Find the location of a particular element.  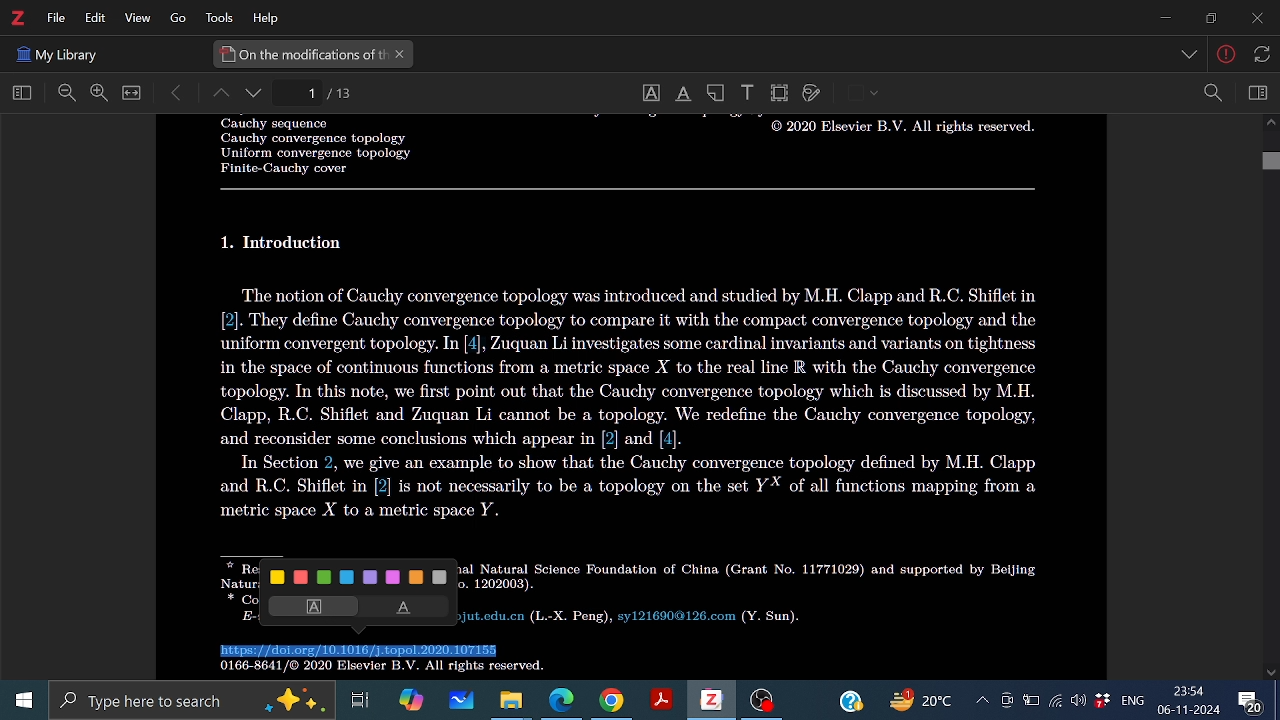

Colors is located at coordinates (361, 576).